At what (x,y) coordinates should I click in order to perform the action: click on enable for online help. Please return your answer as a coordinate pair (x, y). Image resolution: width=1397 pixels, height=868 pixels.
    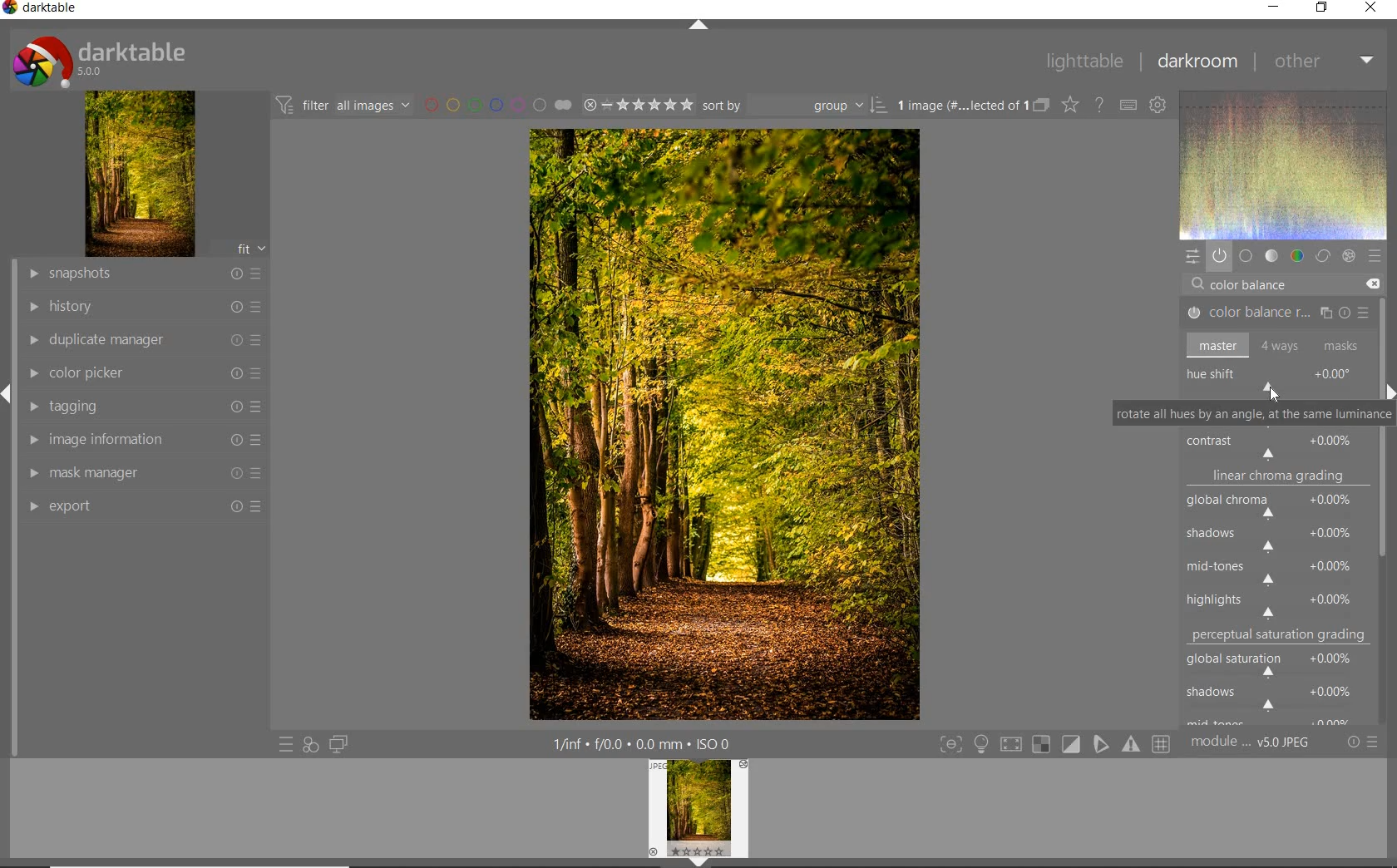
    Looking at the image, I should click on (1101, 105).